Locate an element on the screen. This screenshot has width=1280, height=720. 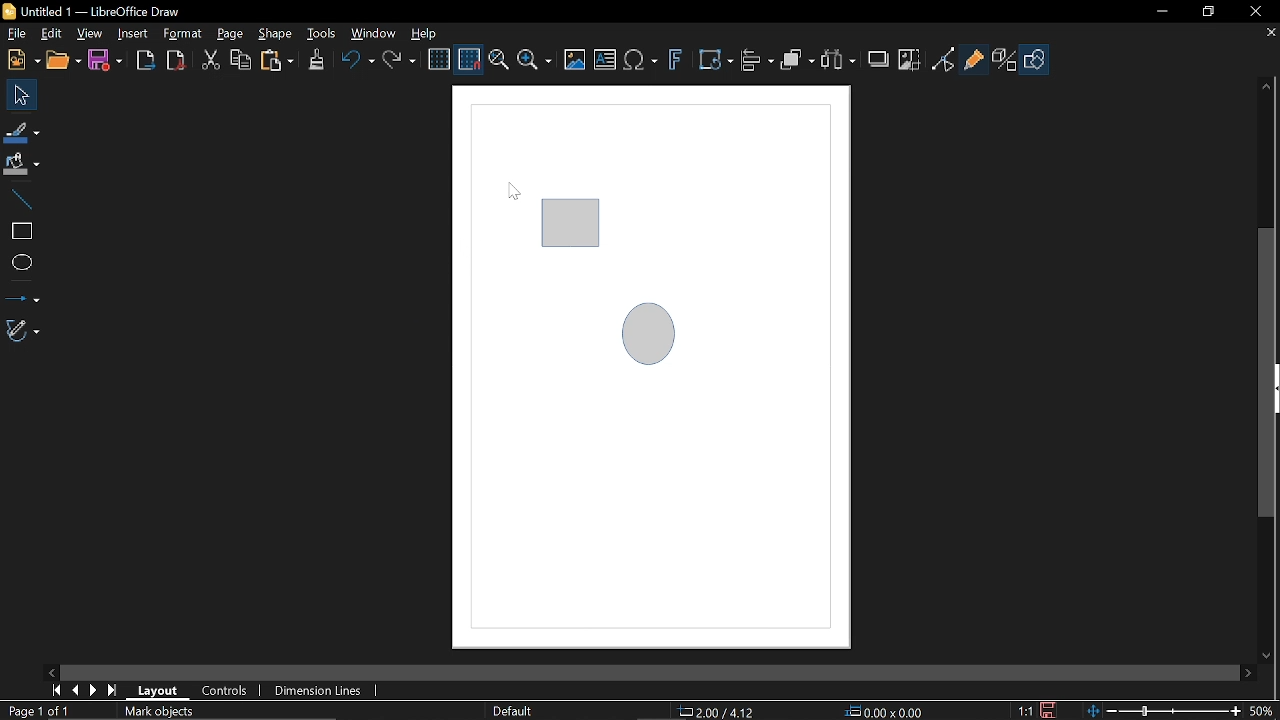
New is located at coordinates (22, 59).